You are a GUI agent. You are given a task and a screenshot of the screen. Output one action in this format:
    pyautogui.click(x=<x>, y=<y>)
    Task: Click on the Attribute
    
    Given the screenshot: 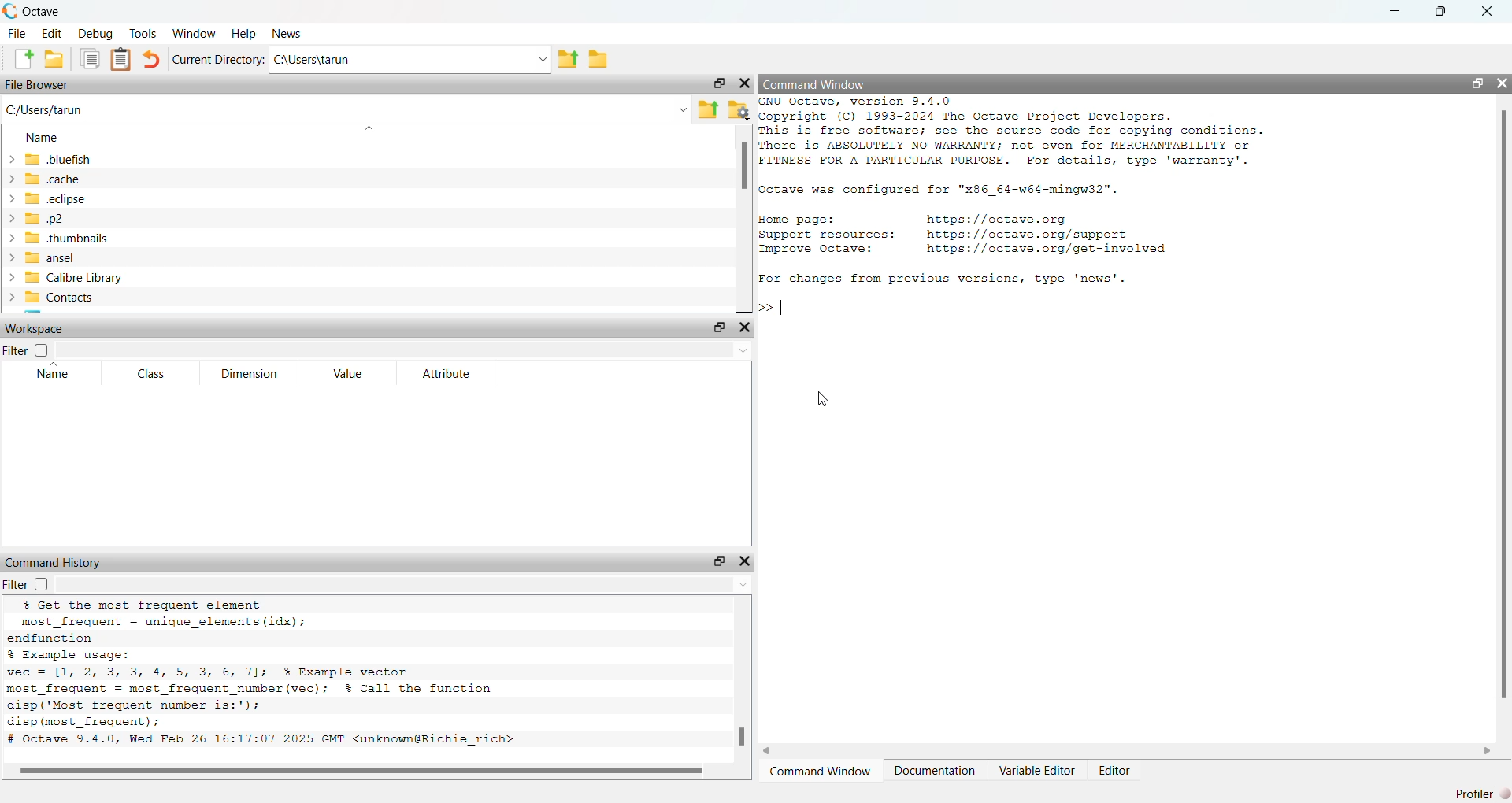 What is the action you would take?
    pyautogui.click(x=447, y=373)
    